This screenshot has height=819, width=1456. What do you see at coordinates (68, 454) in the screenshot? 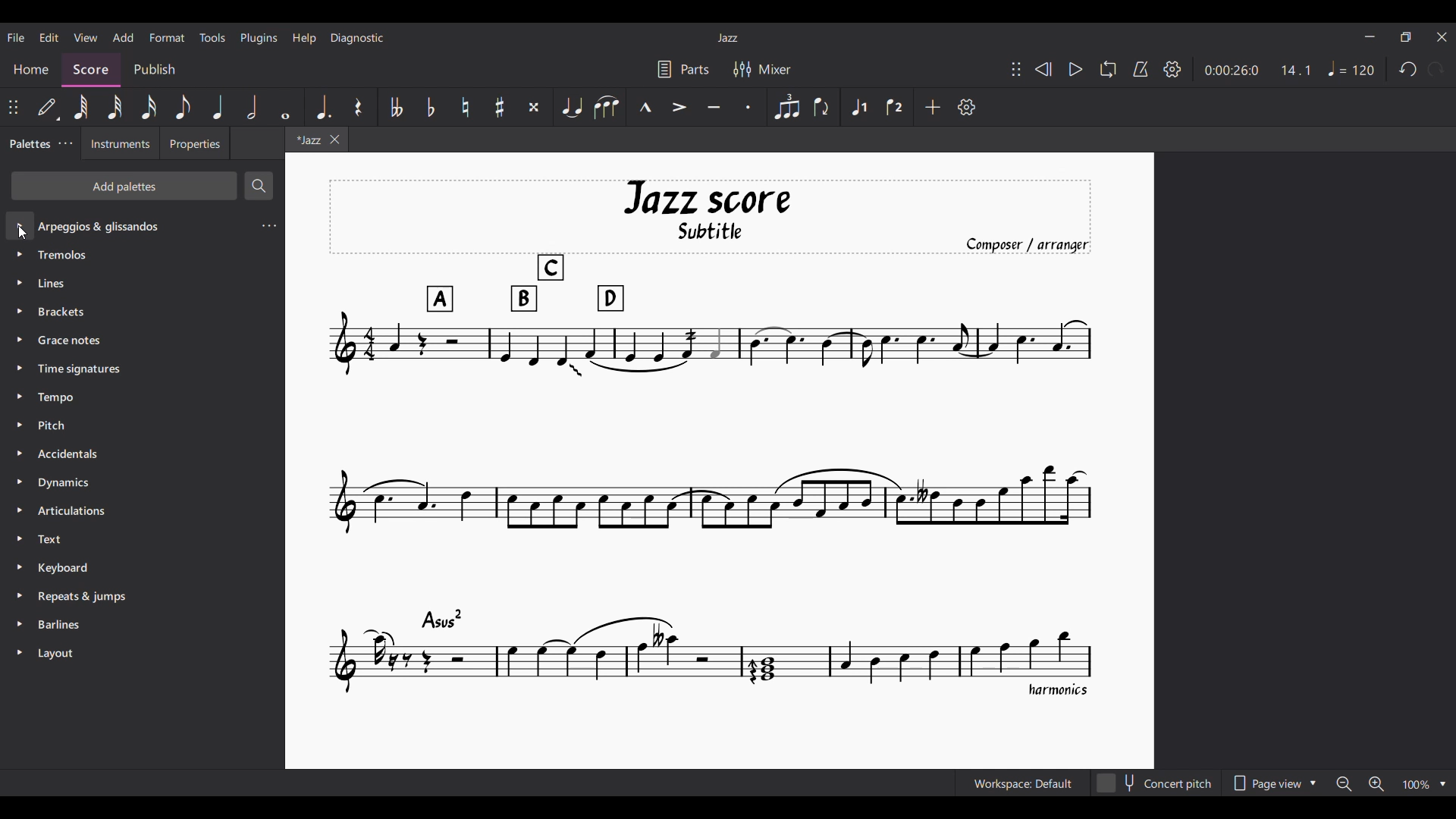
I see `Accidentals` at bounding box center [68, 454].